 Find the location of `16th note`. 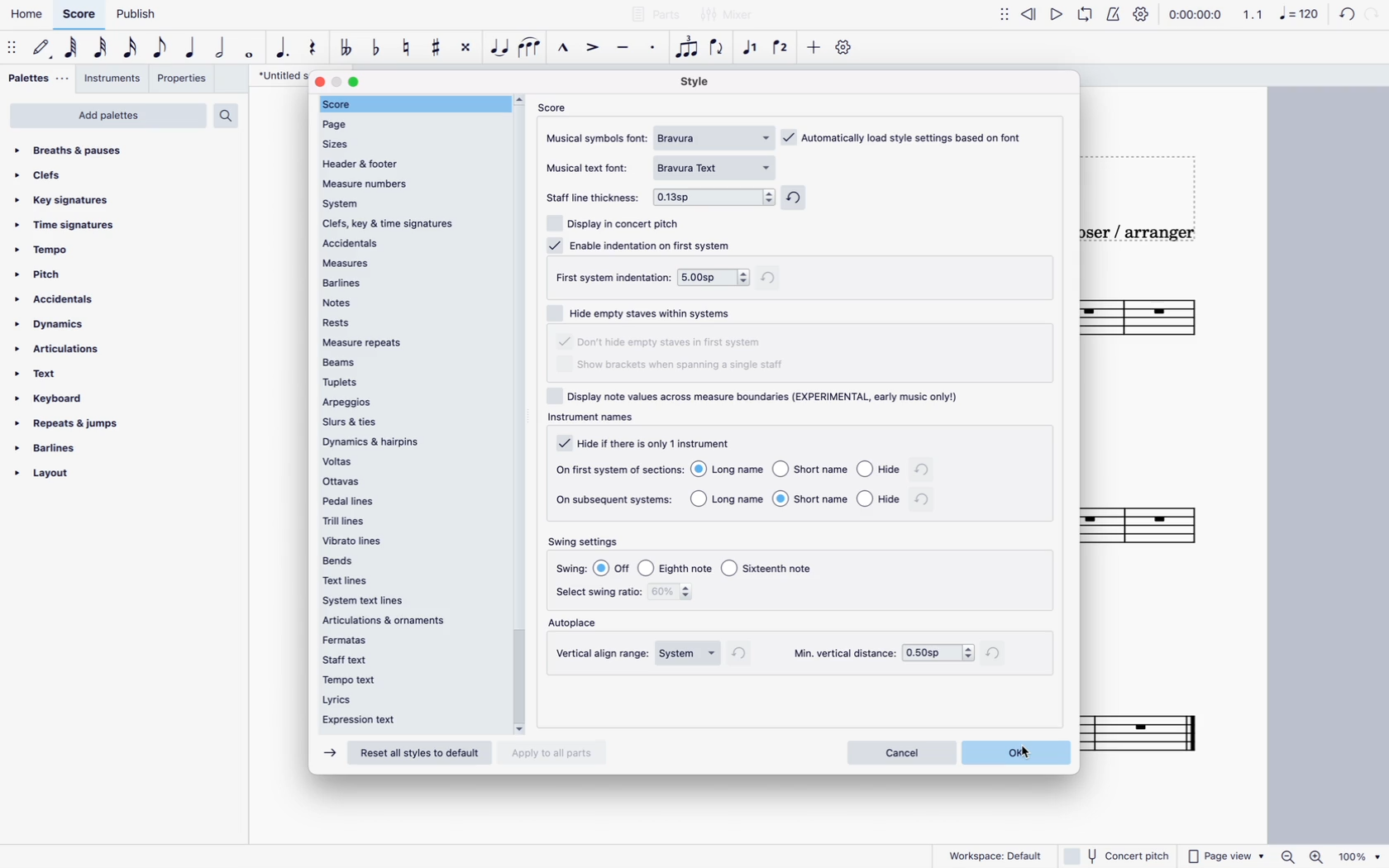

16th note is located at coordinates (133, 51).